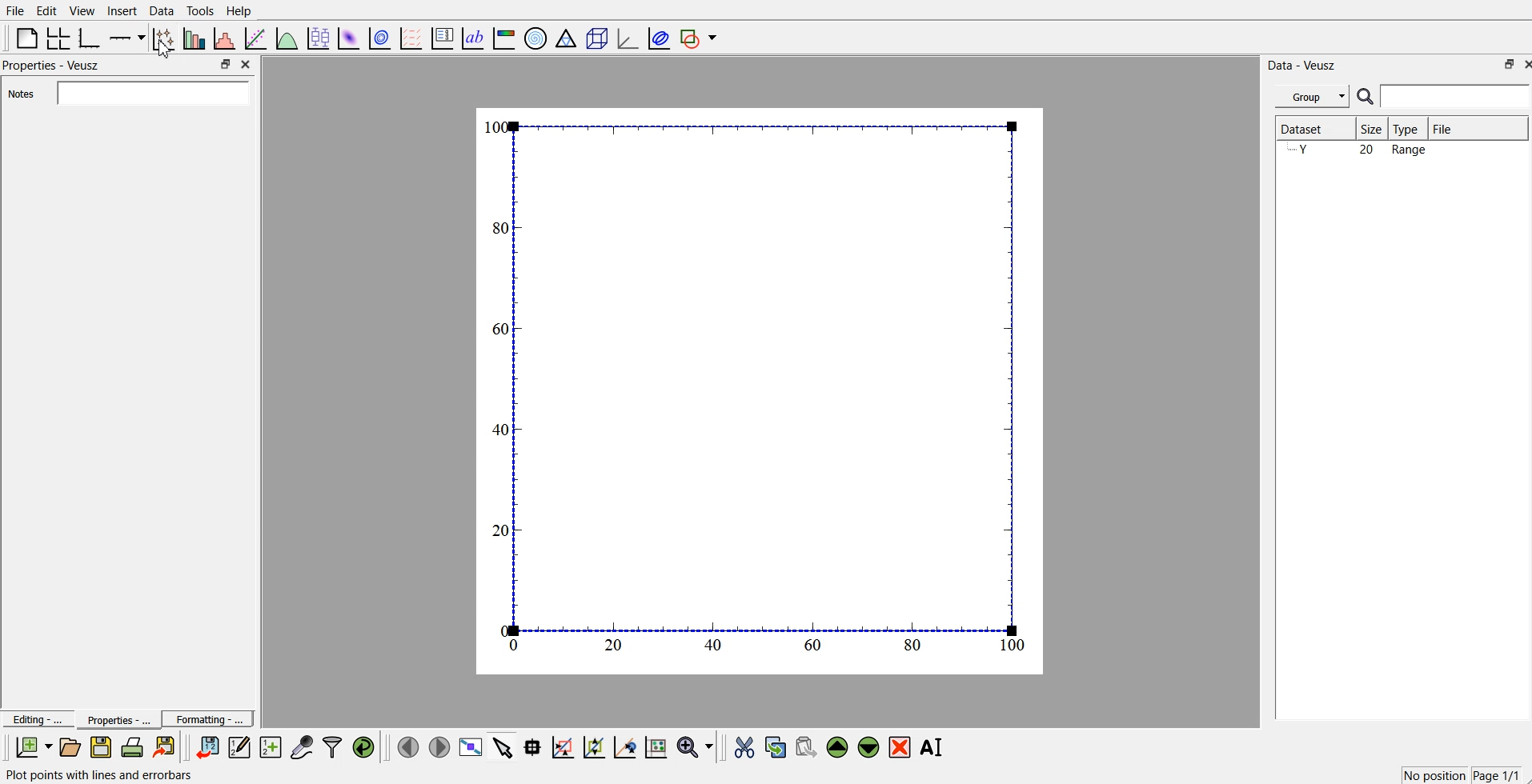  What do you see at coordinates (700, 38) in the screenshot?
I see `add a shape to the plot` at bounding box center [700, 38].